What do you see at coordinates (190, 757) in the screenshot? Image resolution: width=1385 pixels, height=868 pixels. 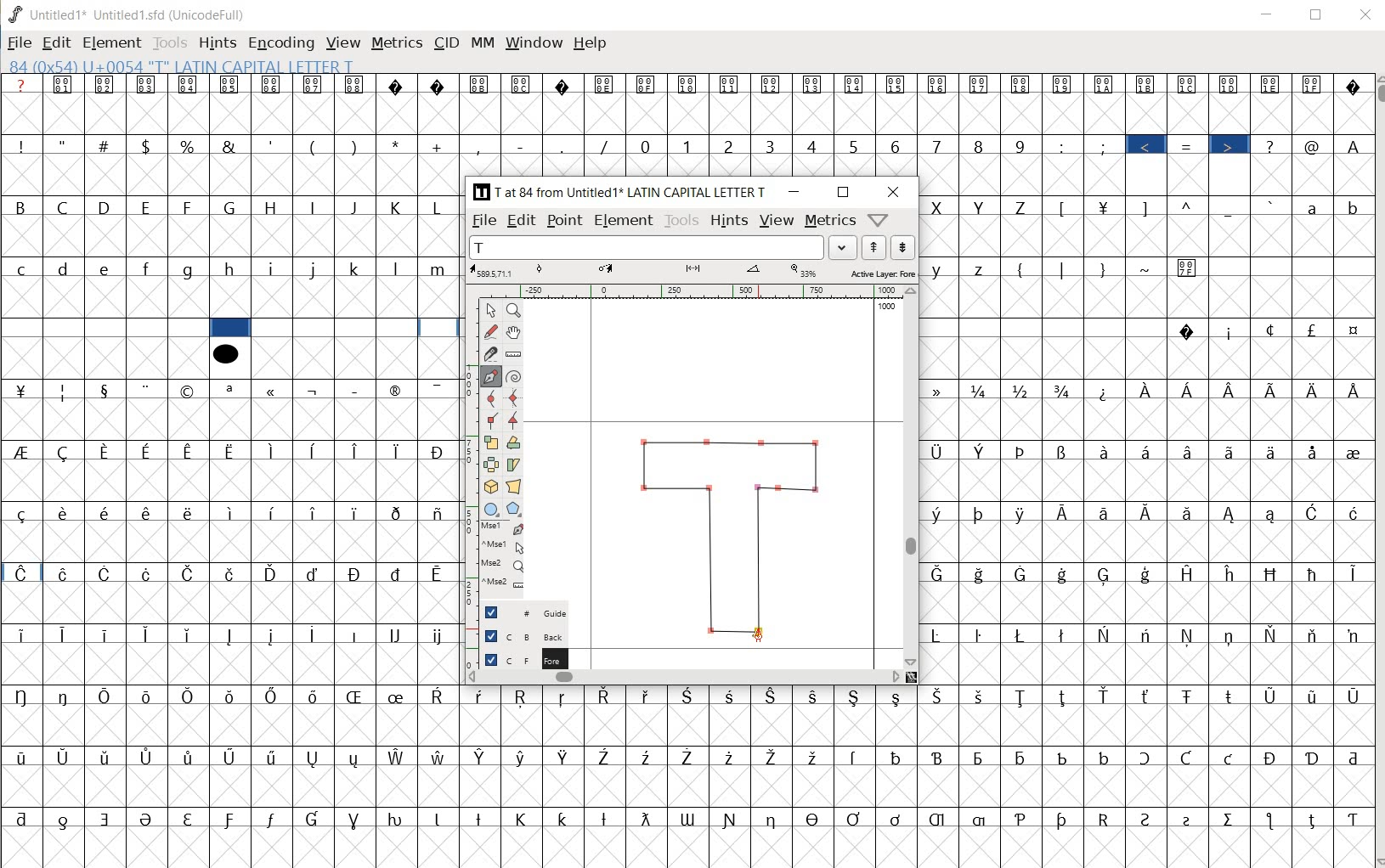 I see `Symbol` at bounding box center [190, 757].